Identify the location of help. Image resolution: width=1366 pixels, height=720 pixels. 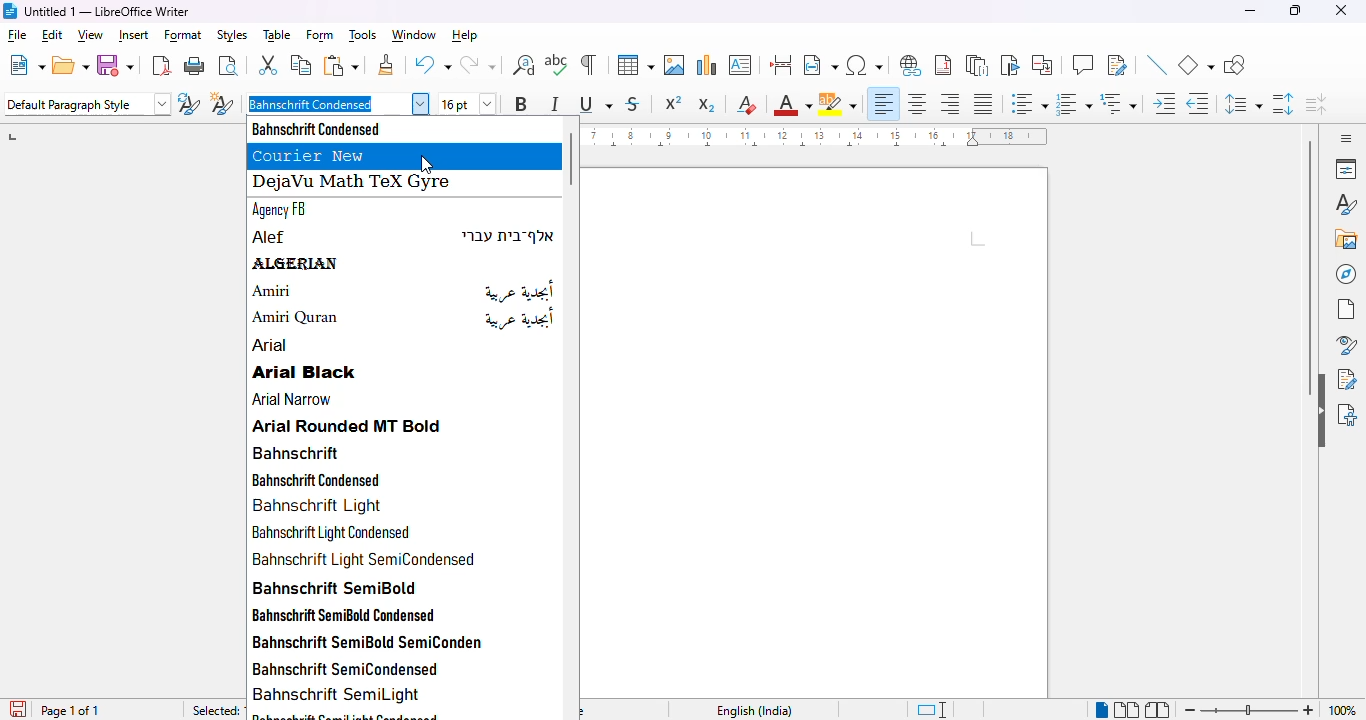
(466, 36).